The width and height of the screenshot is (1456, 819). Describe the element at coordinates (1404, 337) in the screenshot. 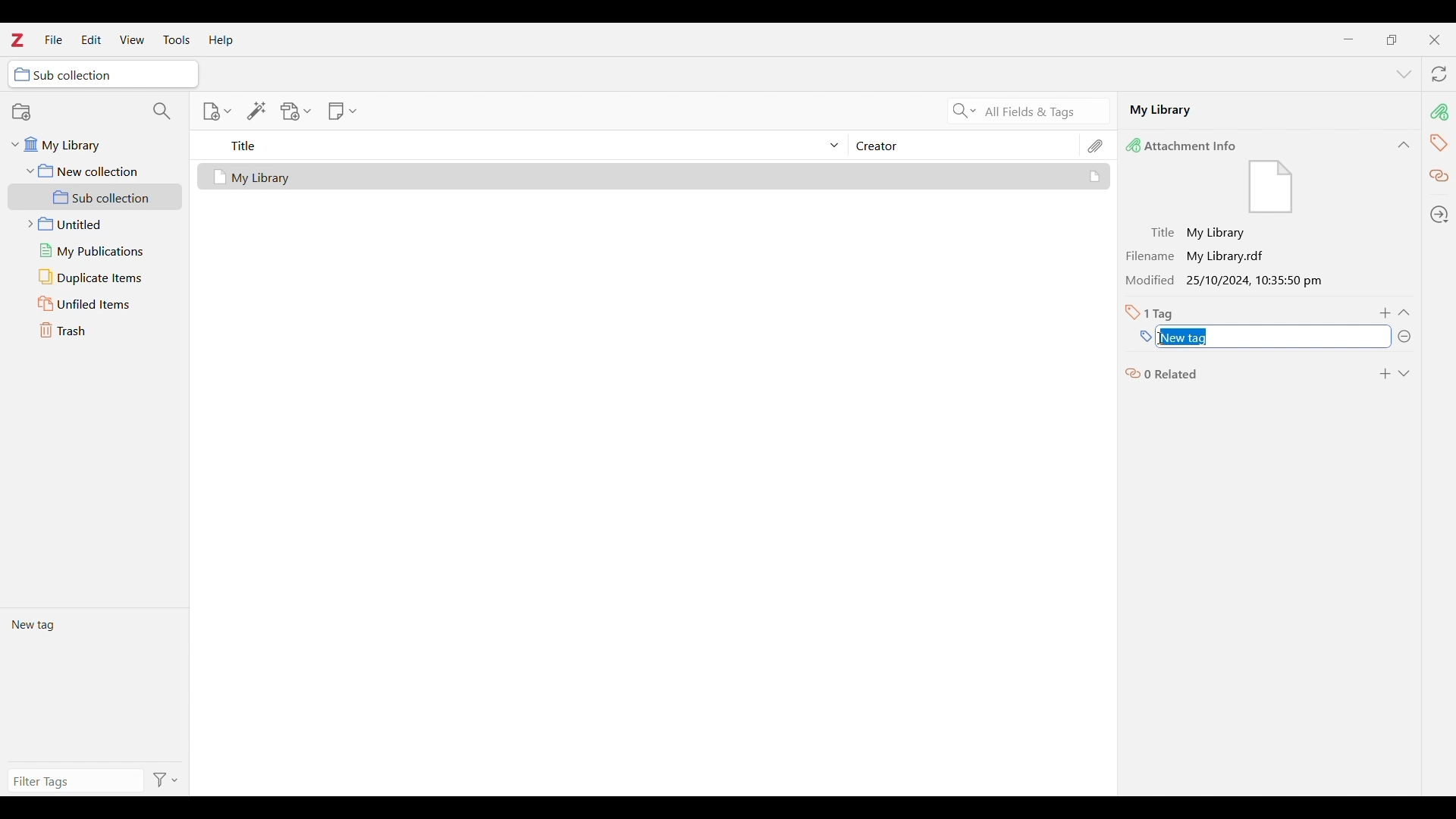

I see `Remove` at that location.